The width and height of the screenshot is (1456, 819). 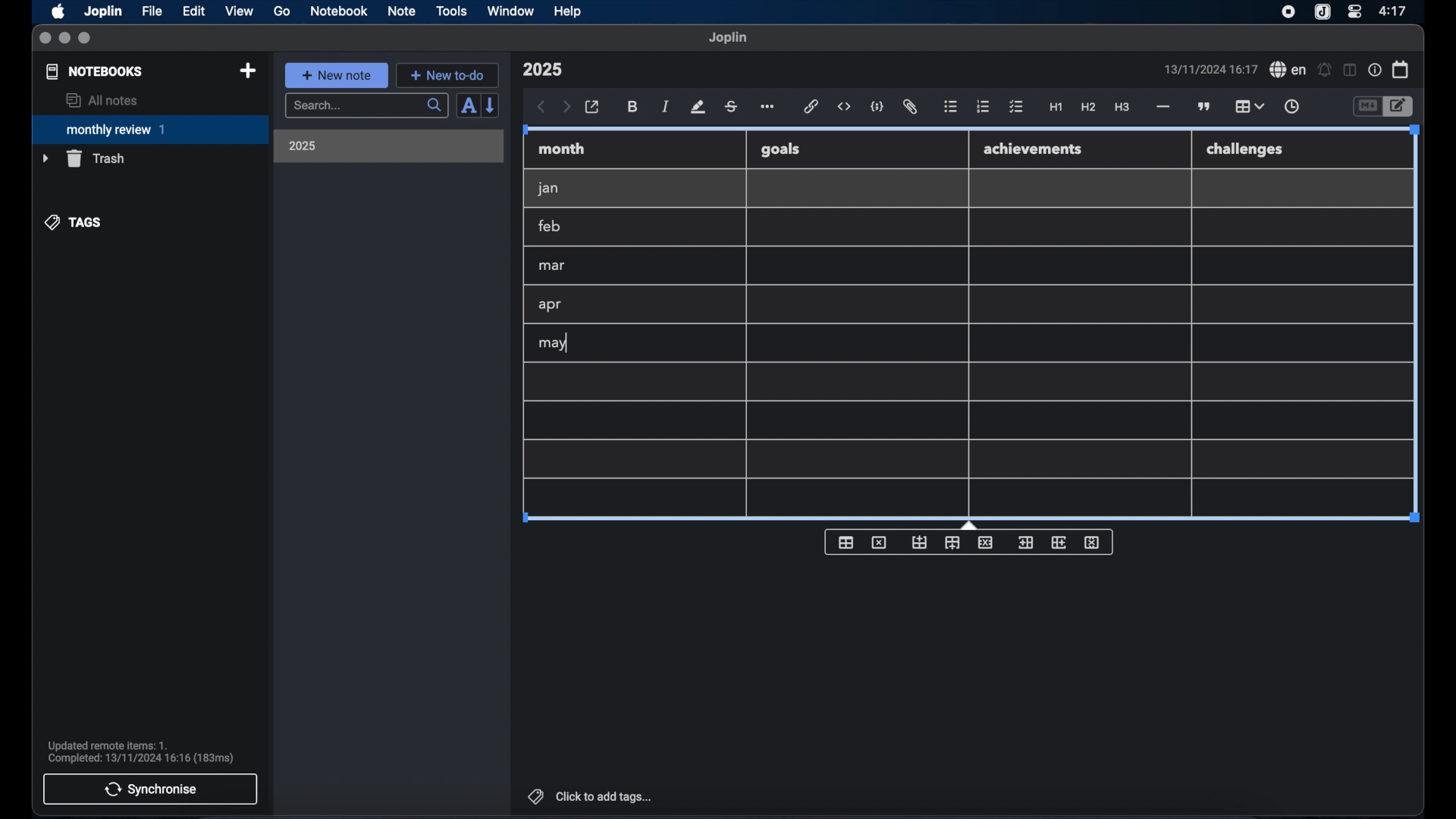 I want to click on screen recorder icon, so click(x=1288, y=12).